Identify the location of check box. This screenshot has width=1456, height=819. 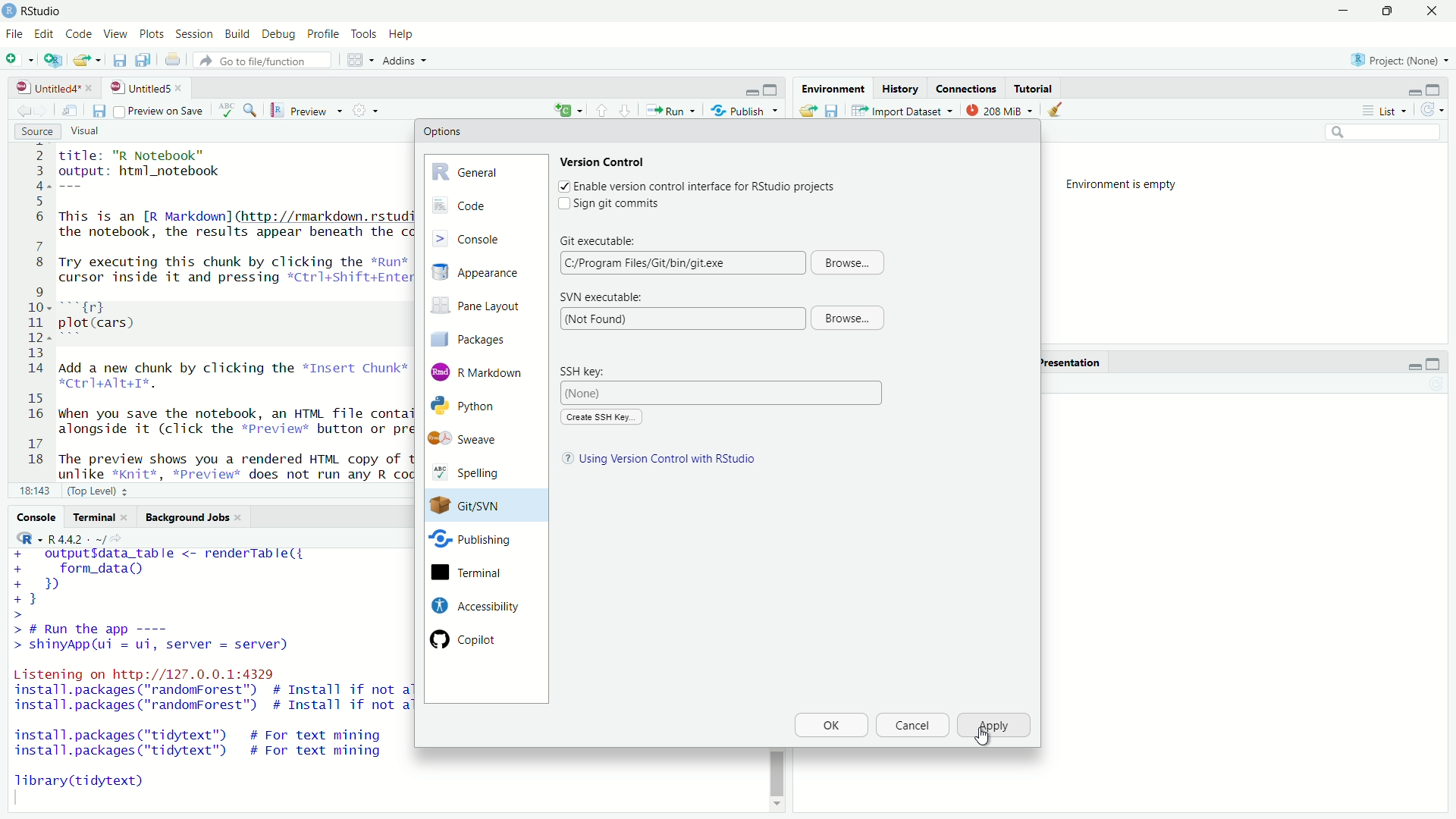
(562, 186).